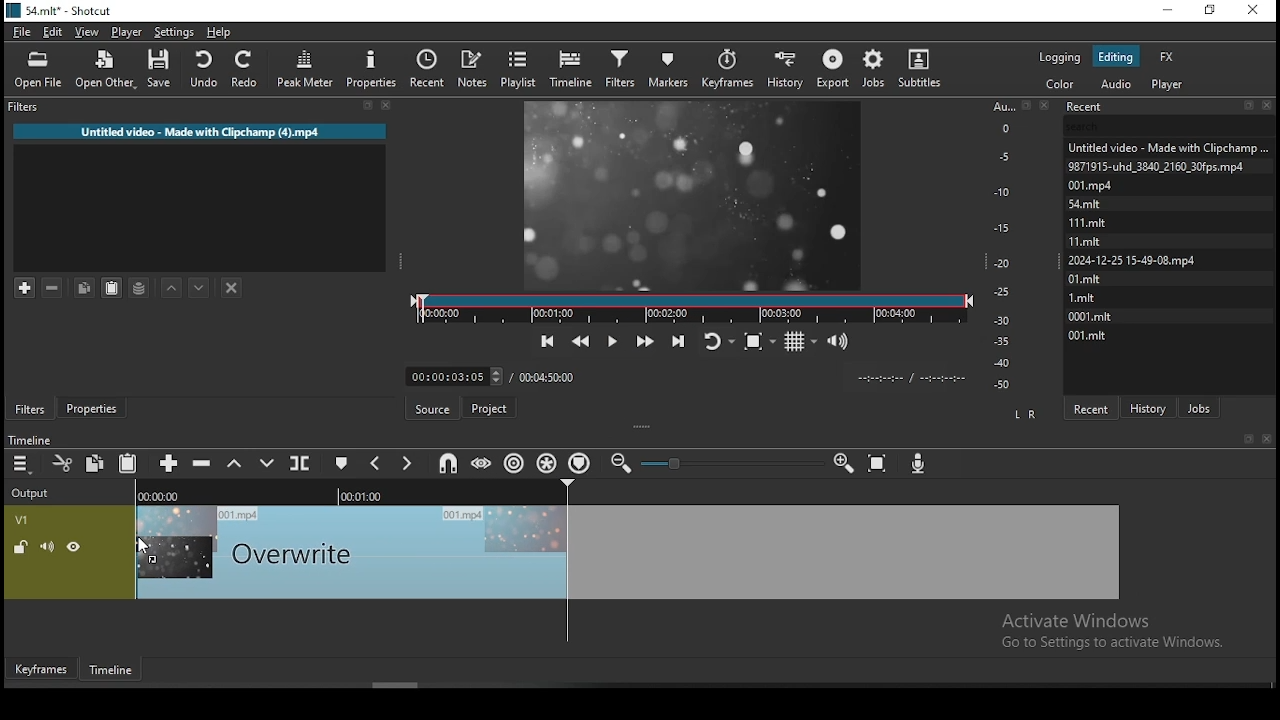 This screenshot has width=1280, height=720. What do you see at coordinates (515, 462) in the screenshot?
I see `ripple` at bounding box center [515, 462].